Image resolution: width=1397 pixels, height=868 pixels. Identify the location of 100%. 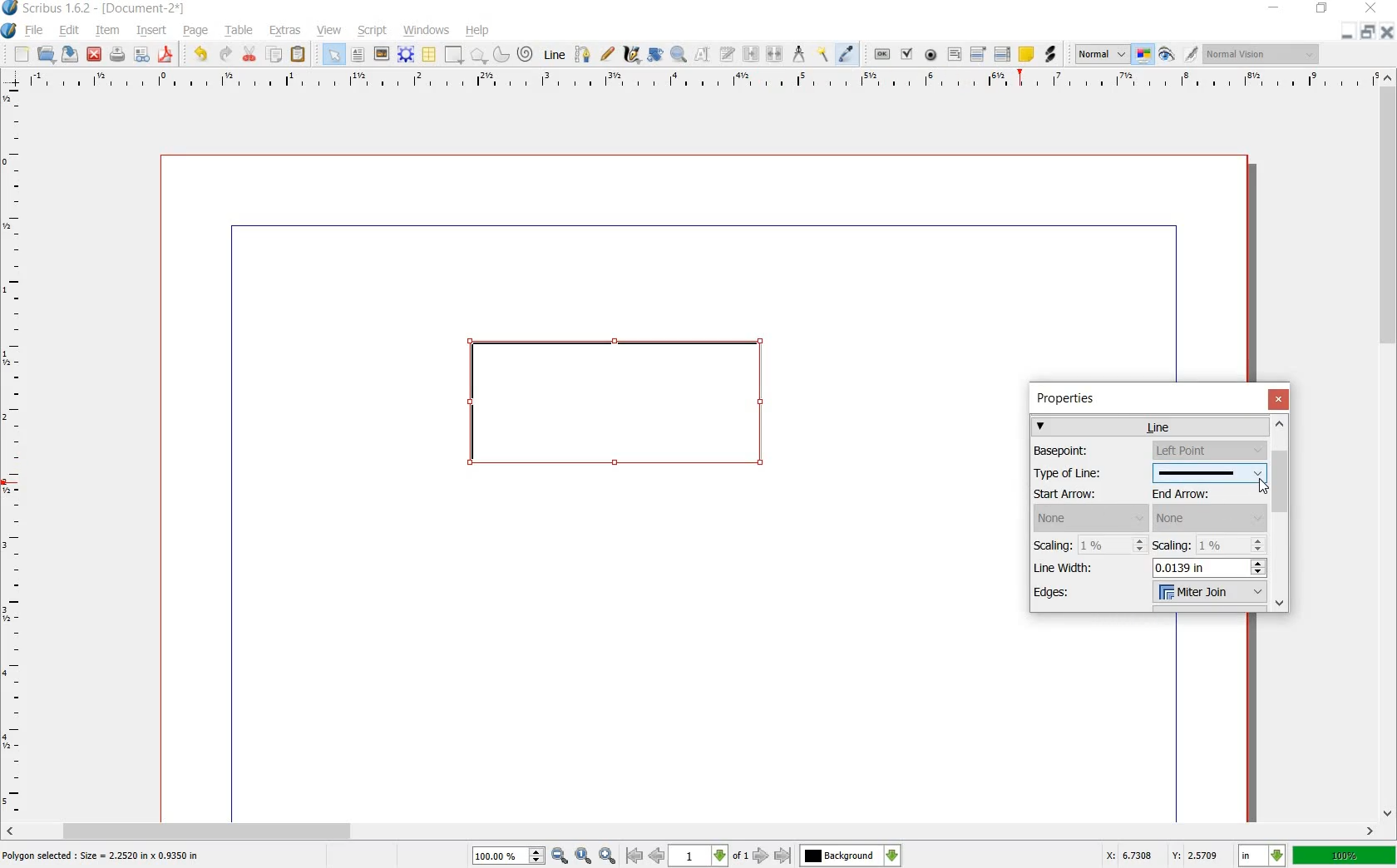
(1344, 856).